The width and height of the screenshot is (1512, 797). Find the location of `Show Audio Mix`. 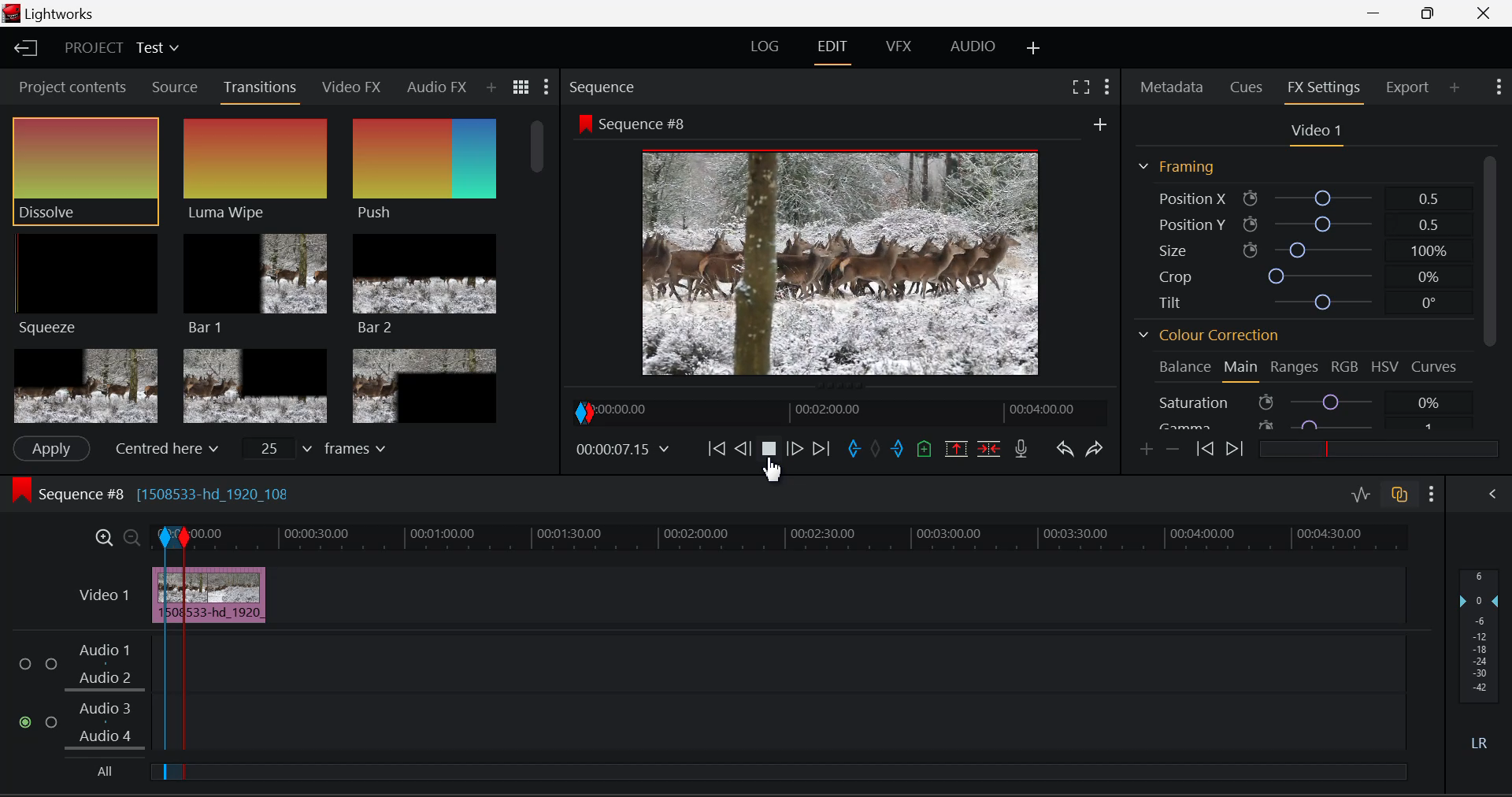

Show Audio Mix is located at coordinates (1493, 496).